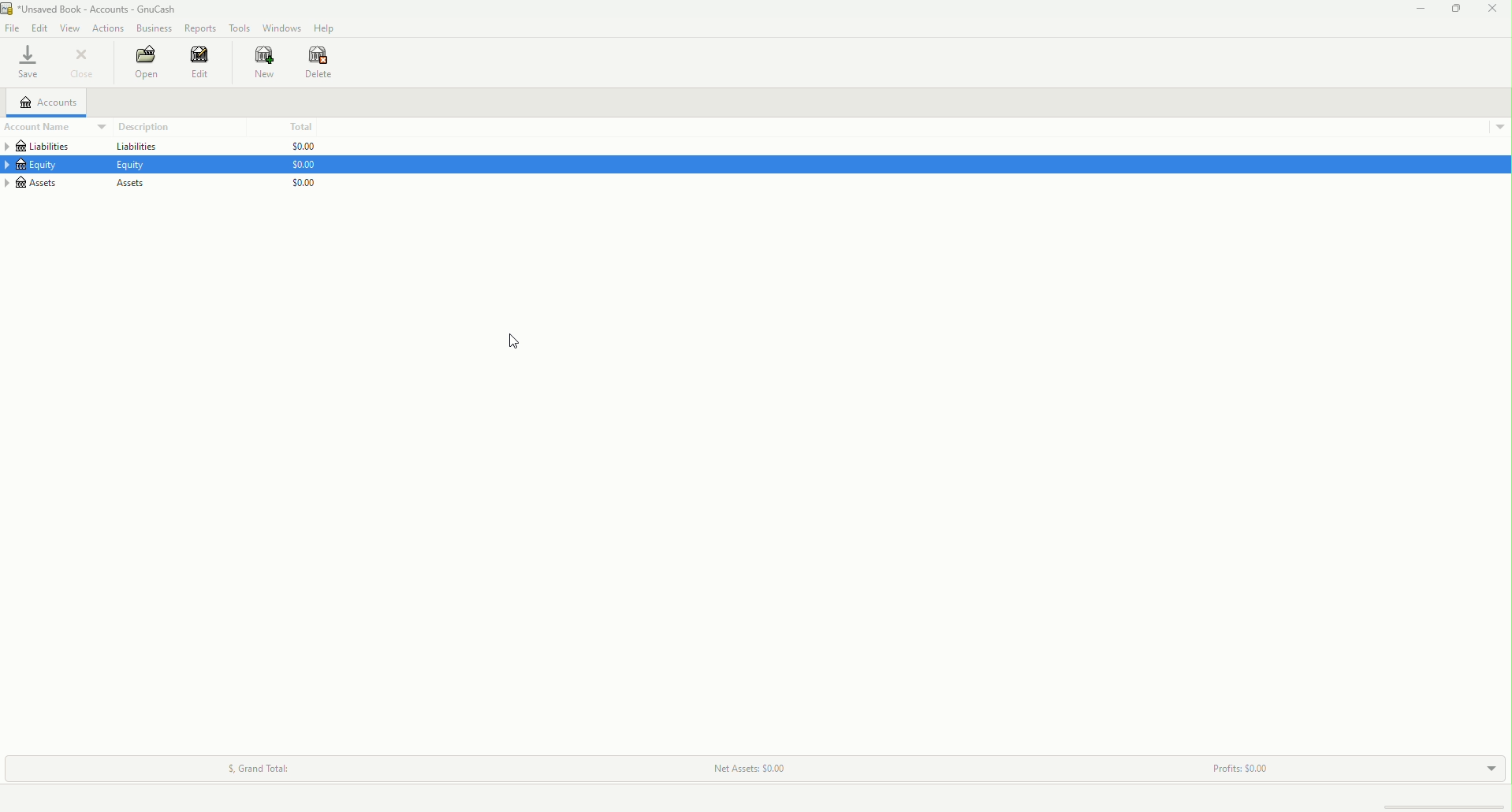  I want to click on Liabilities, so click(134, 147).